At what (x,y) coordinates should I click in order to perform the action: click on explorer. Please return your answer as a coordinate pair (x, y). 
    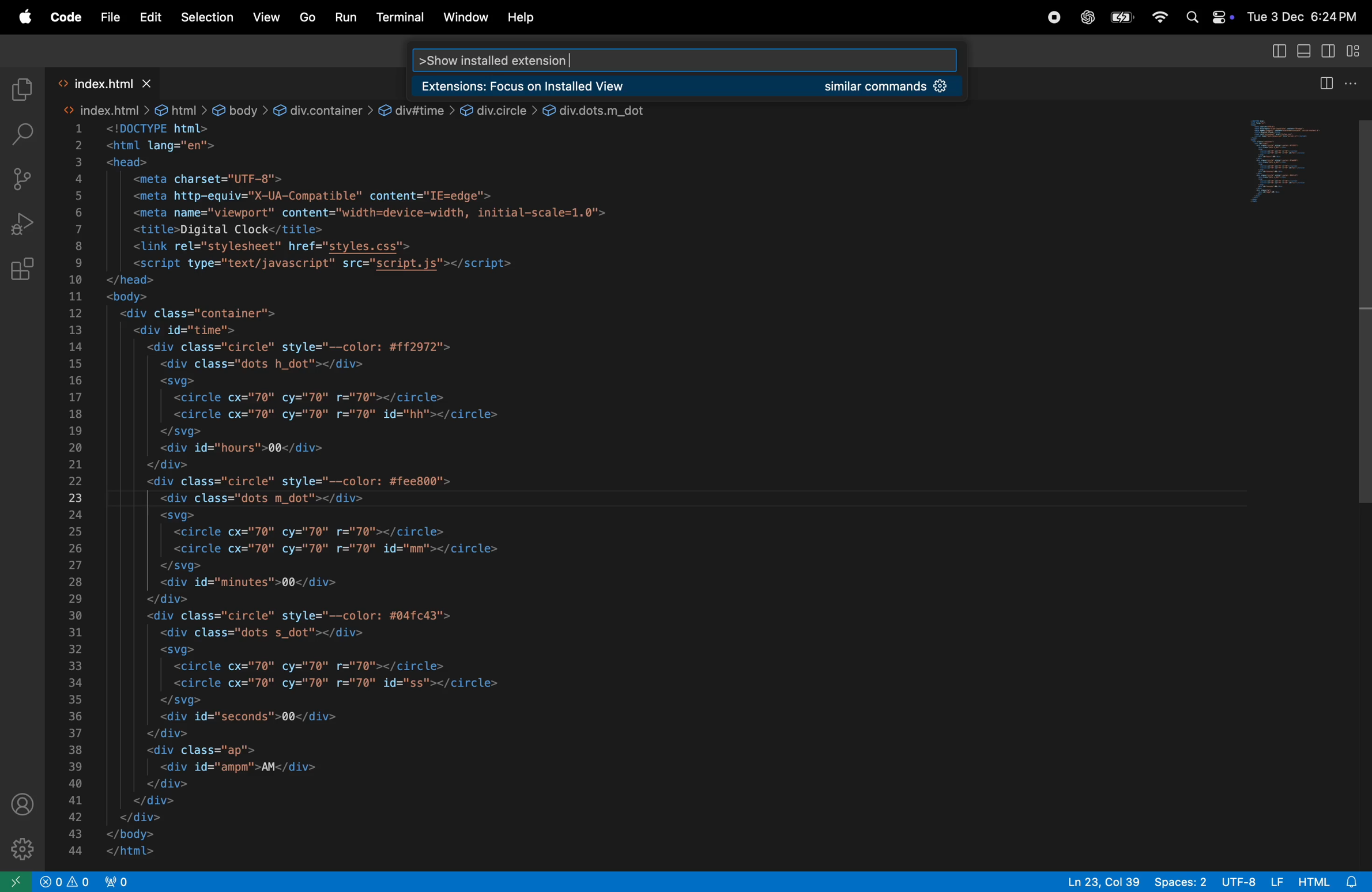
    Looking at the image, I should click on (22, 84).